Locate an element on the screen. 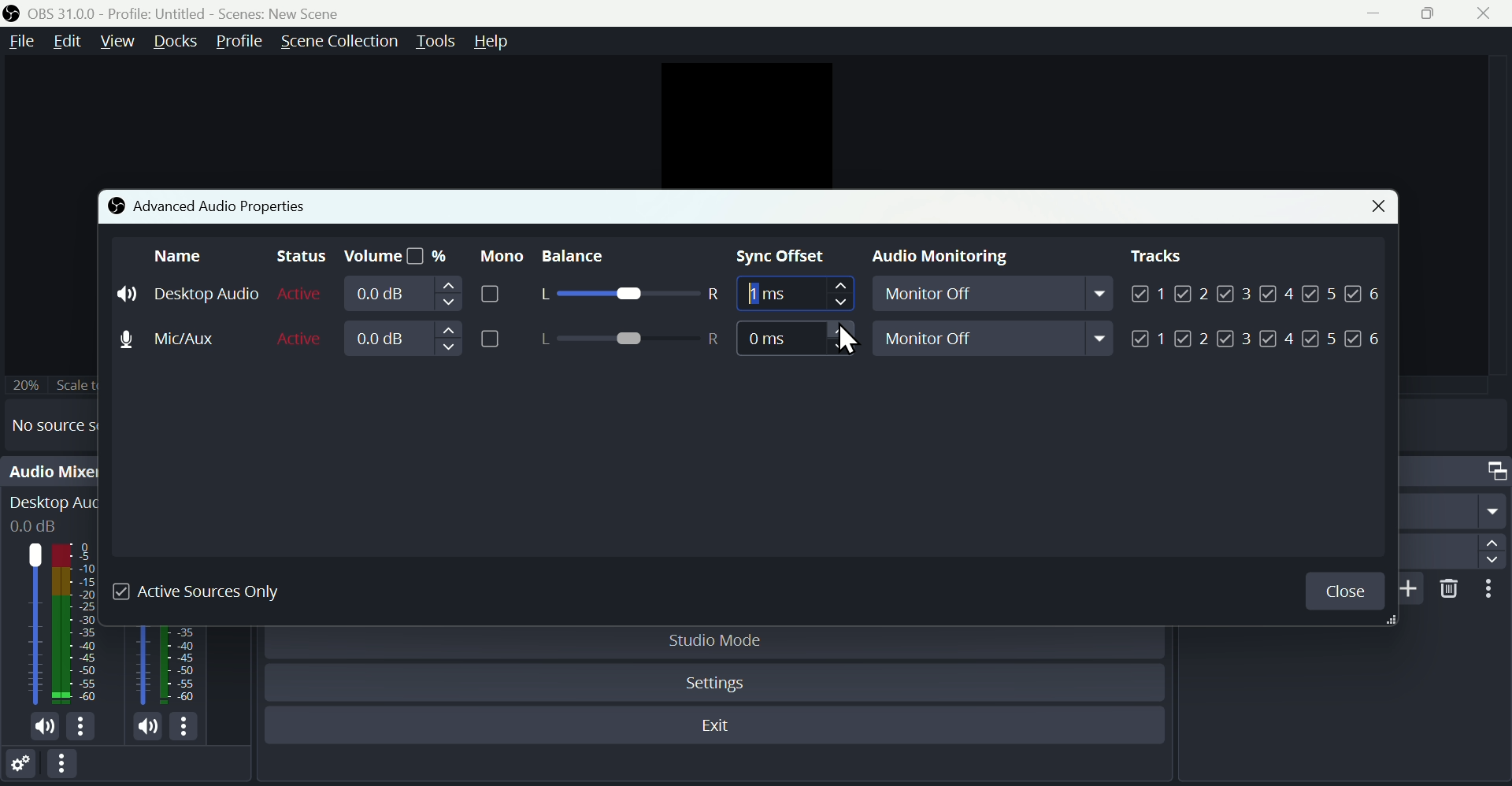  Close is located at coordinates (1344, 591).